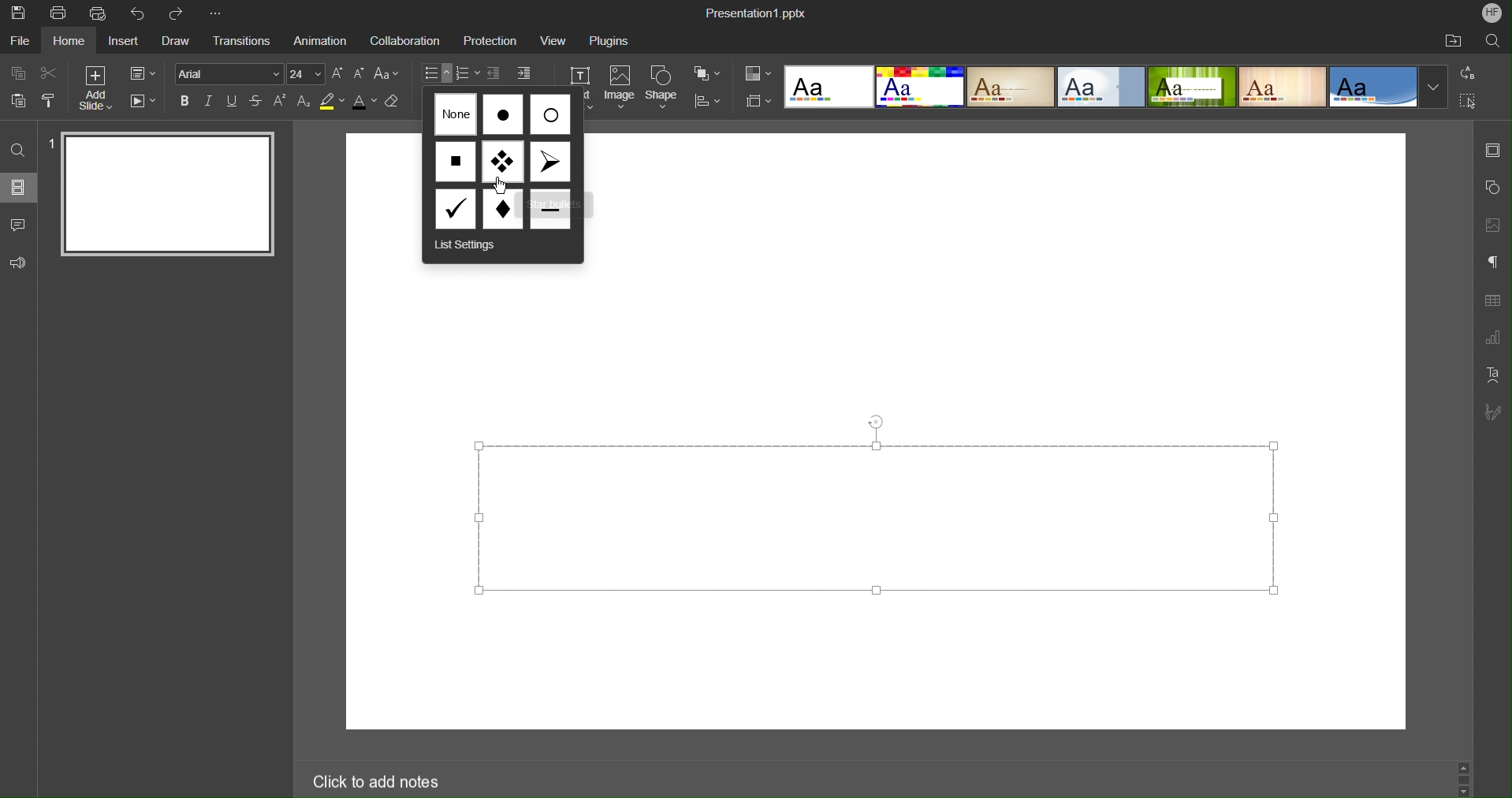 The width and height of the screenshot is (1512, 798). Describe the element at coordinates (176, 42) in the screenshot. I see `Draw` at that location.